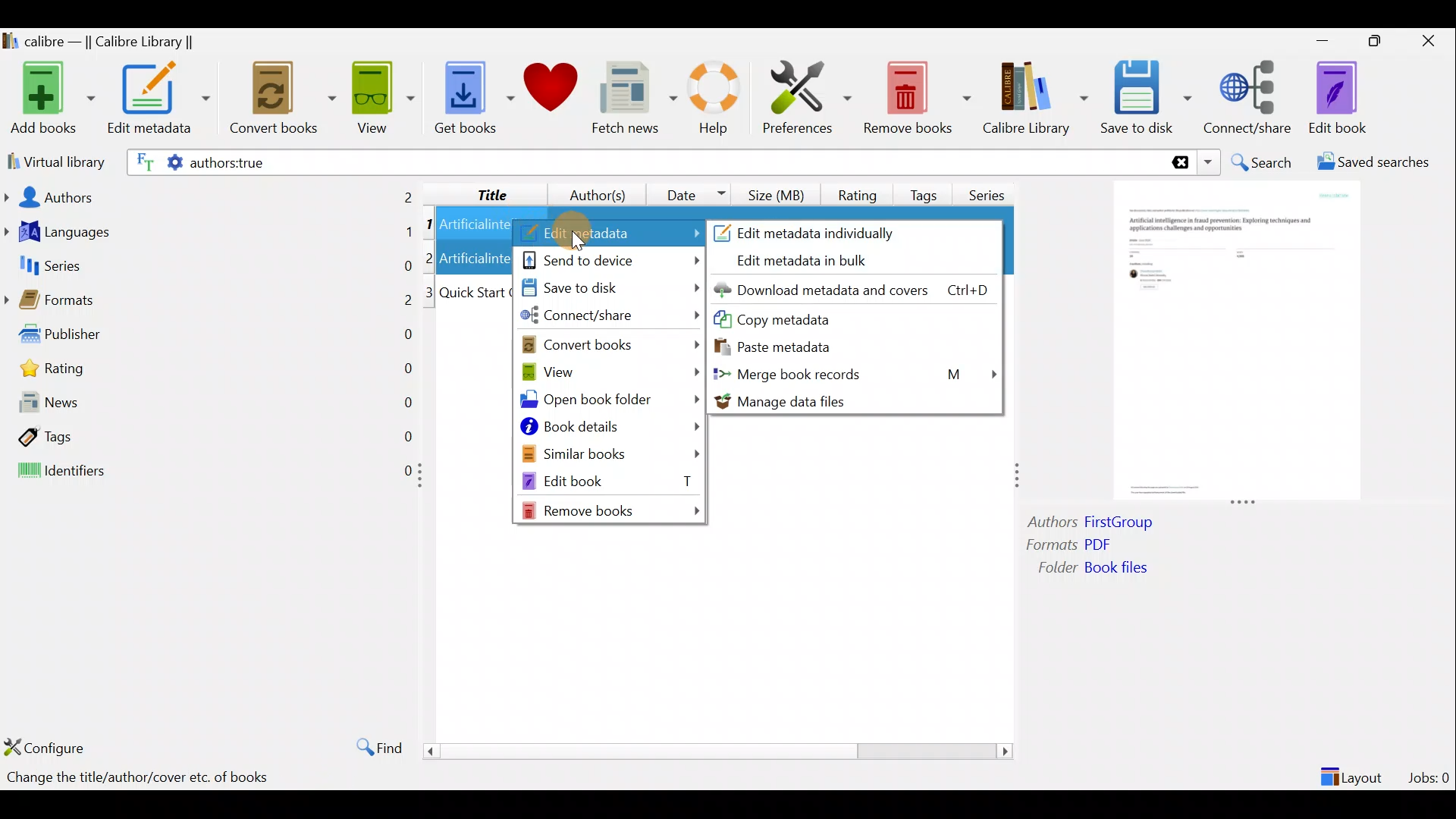 The width and height of the screenshot is (1456, 819). Describe the element at coordinates (283, 99) in the screenshot. I see `Convert books` at that location.